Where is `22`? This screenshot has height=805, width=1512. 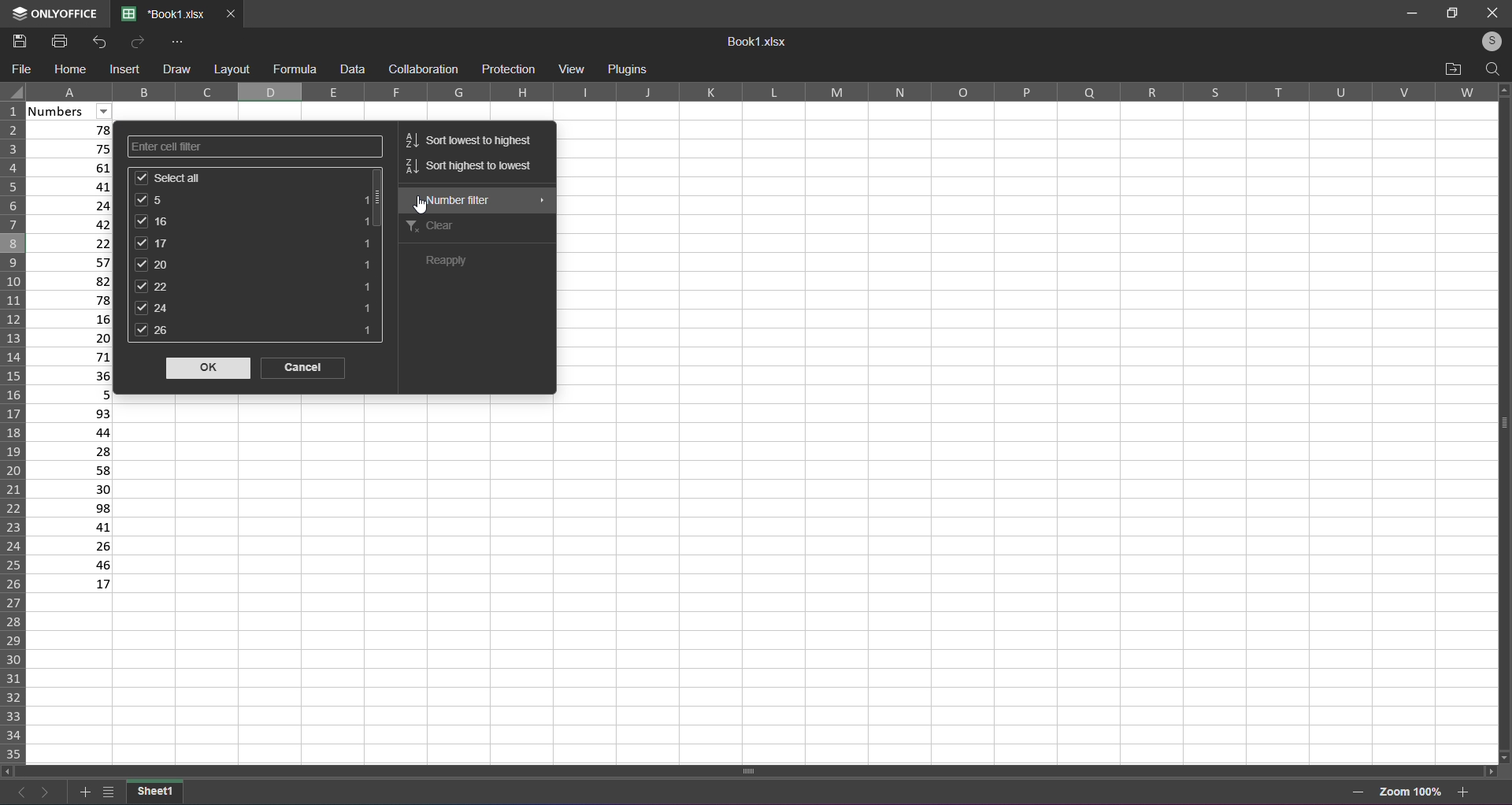 22 is located at coordinates (251, 286).